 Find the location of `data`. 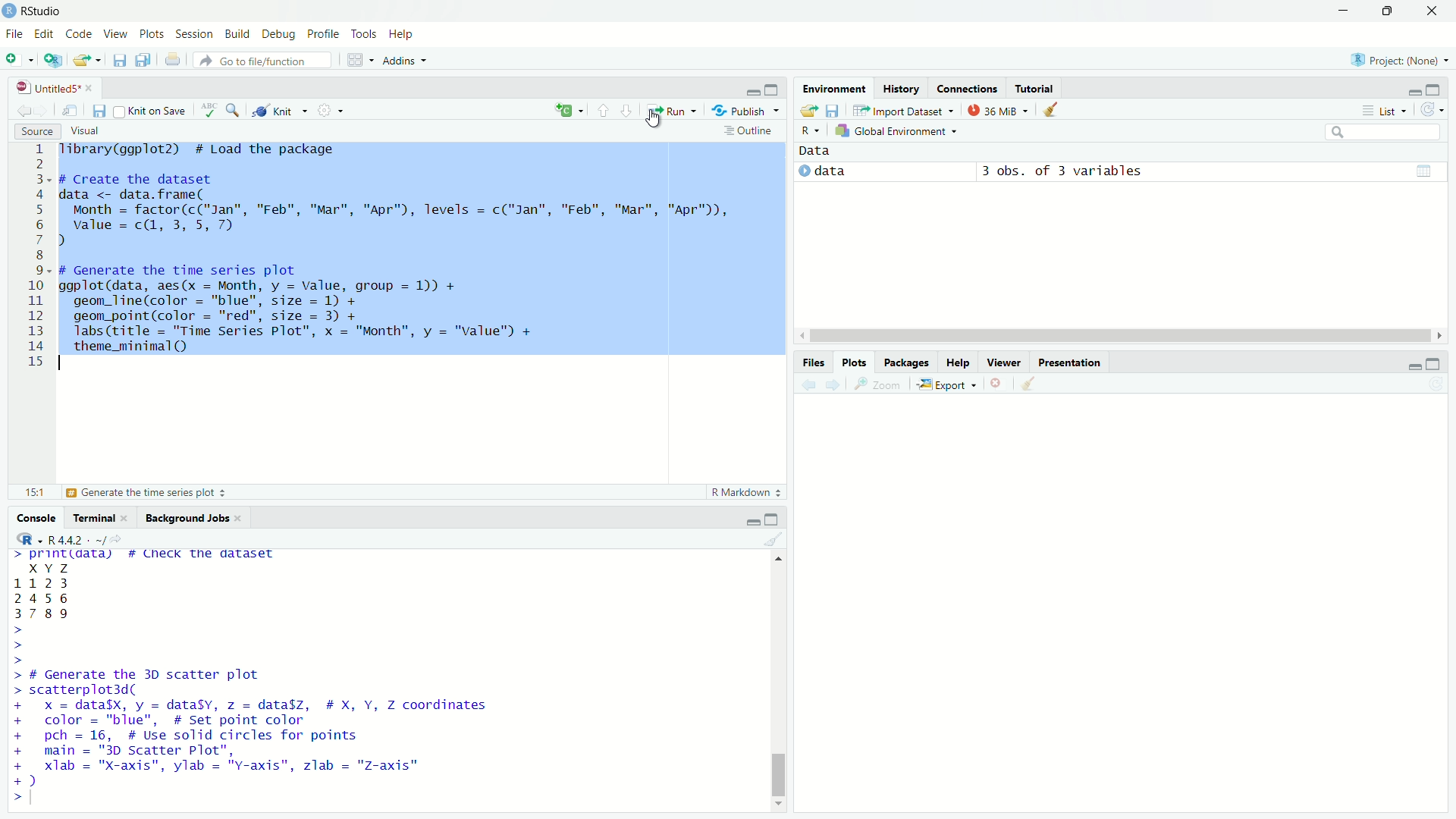

data is located at coordinates (821, 152).